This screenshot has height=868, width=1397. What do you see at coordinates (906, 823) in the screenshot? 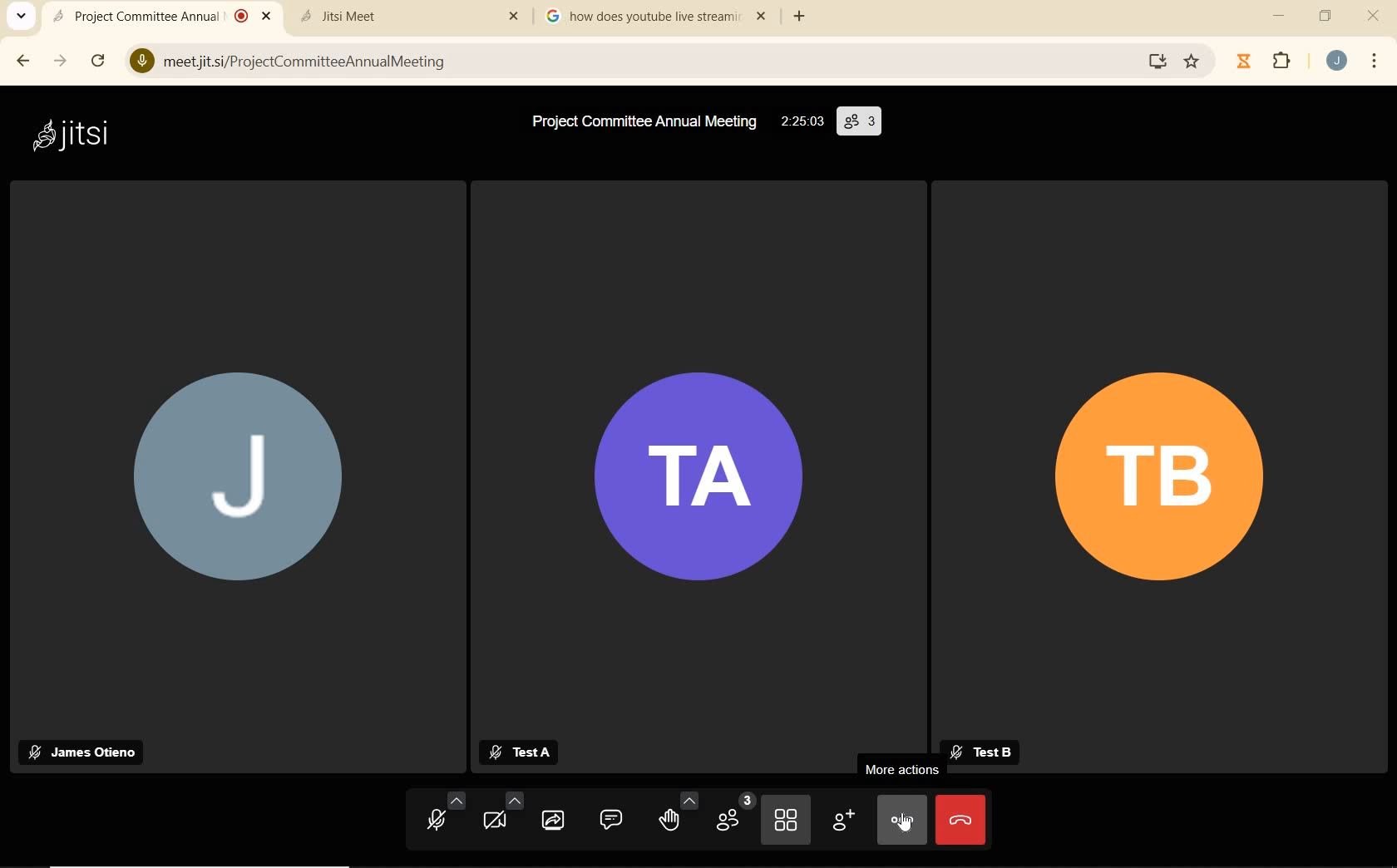
I see `crusor` at bounding box center [906, 823].